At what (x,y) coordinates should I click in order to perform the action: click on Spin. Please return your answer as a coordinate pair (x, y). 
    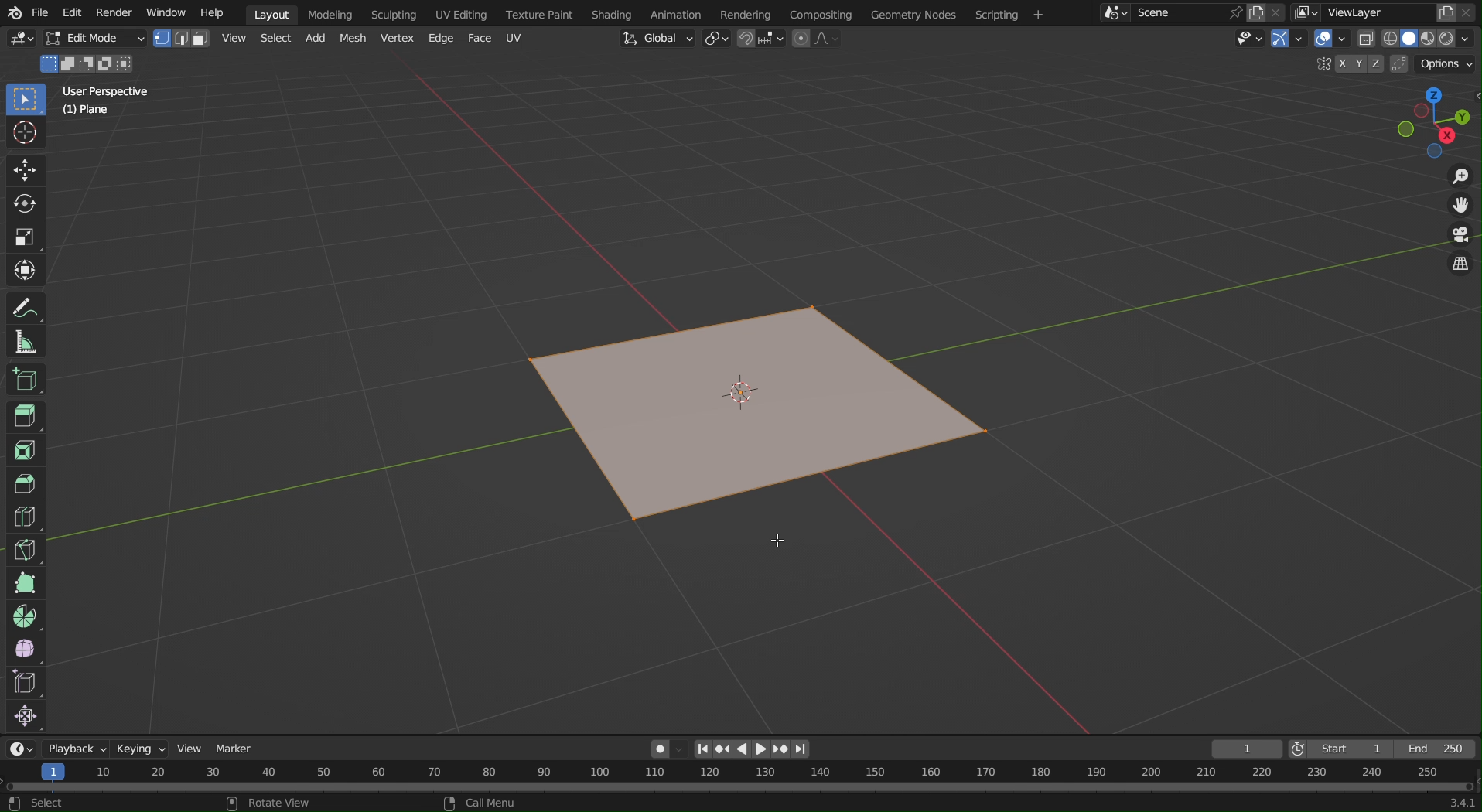
    Looking at the image, I should click on (24, 615).